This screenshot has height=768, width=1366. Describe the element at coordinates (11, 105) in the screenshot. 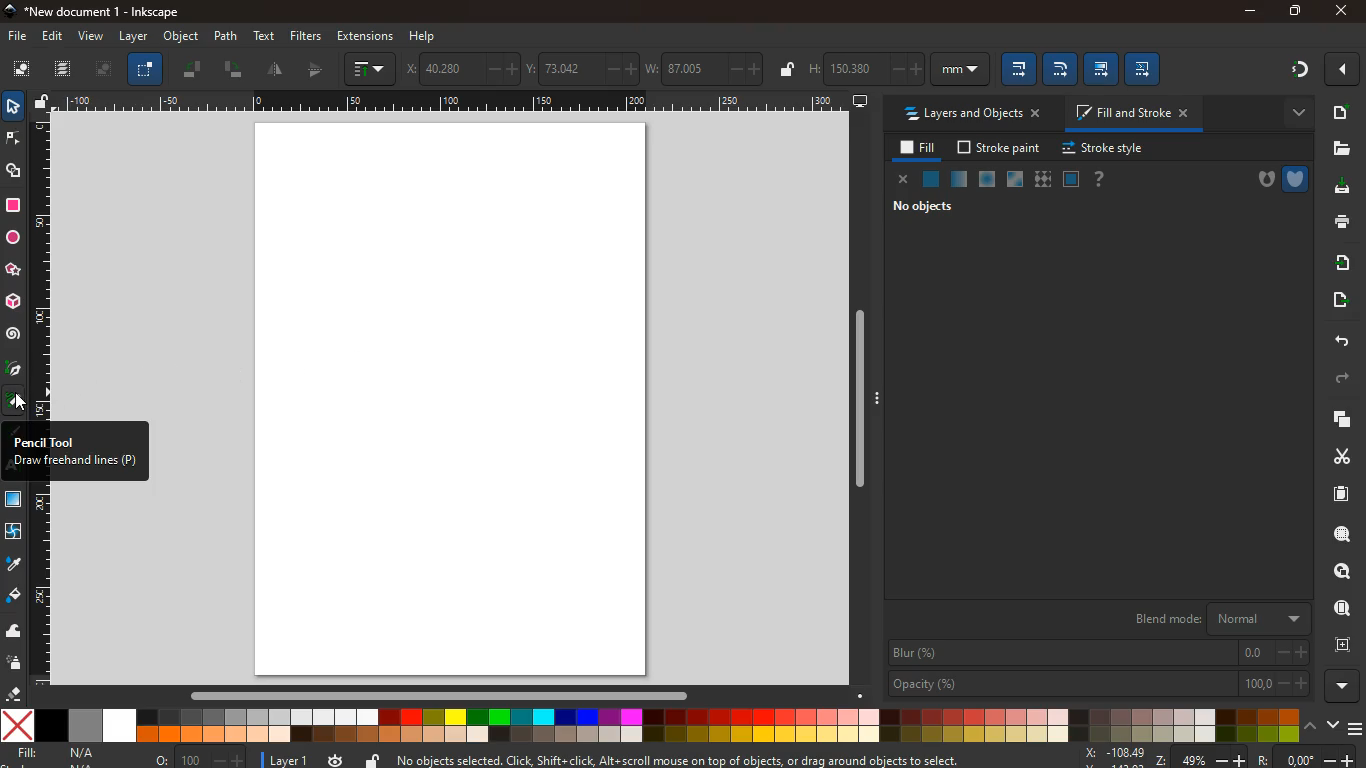

I see `select` at that location.